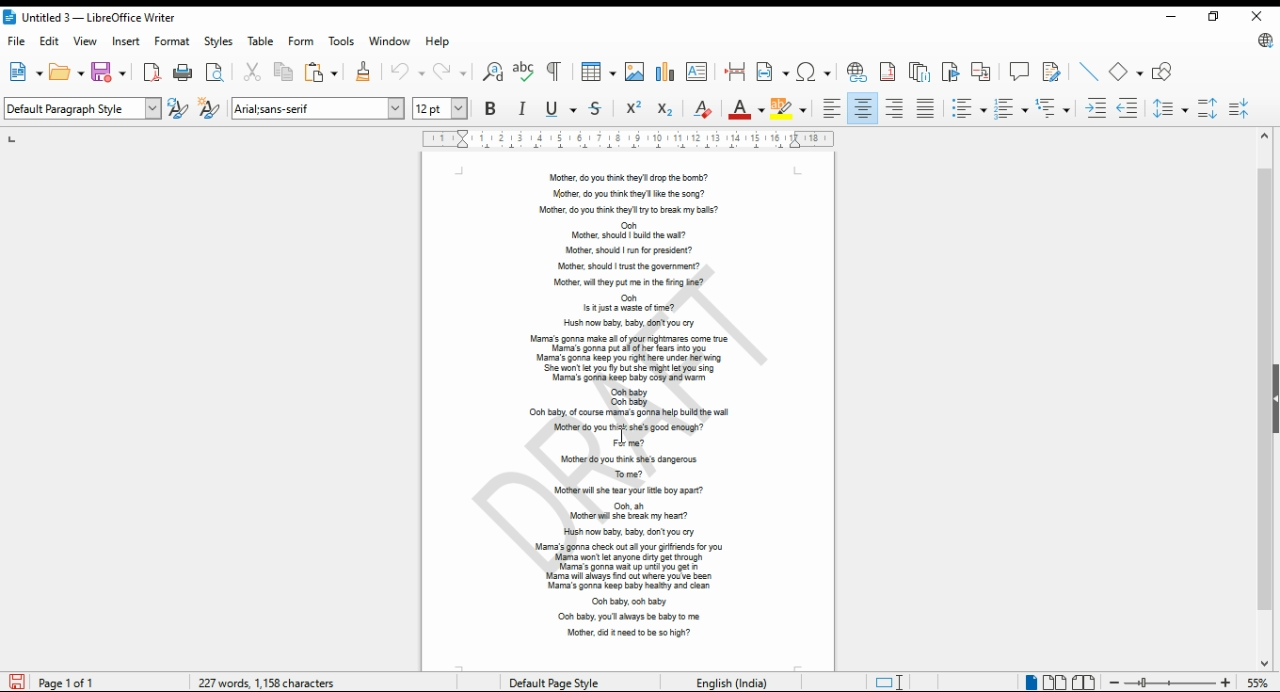 The width and height of the screenshot is (1280, 692). What do you see at coordinates (408, 72) in the screenshot?
I see `undo` at bounding box center [408, 72].